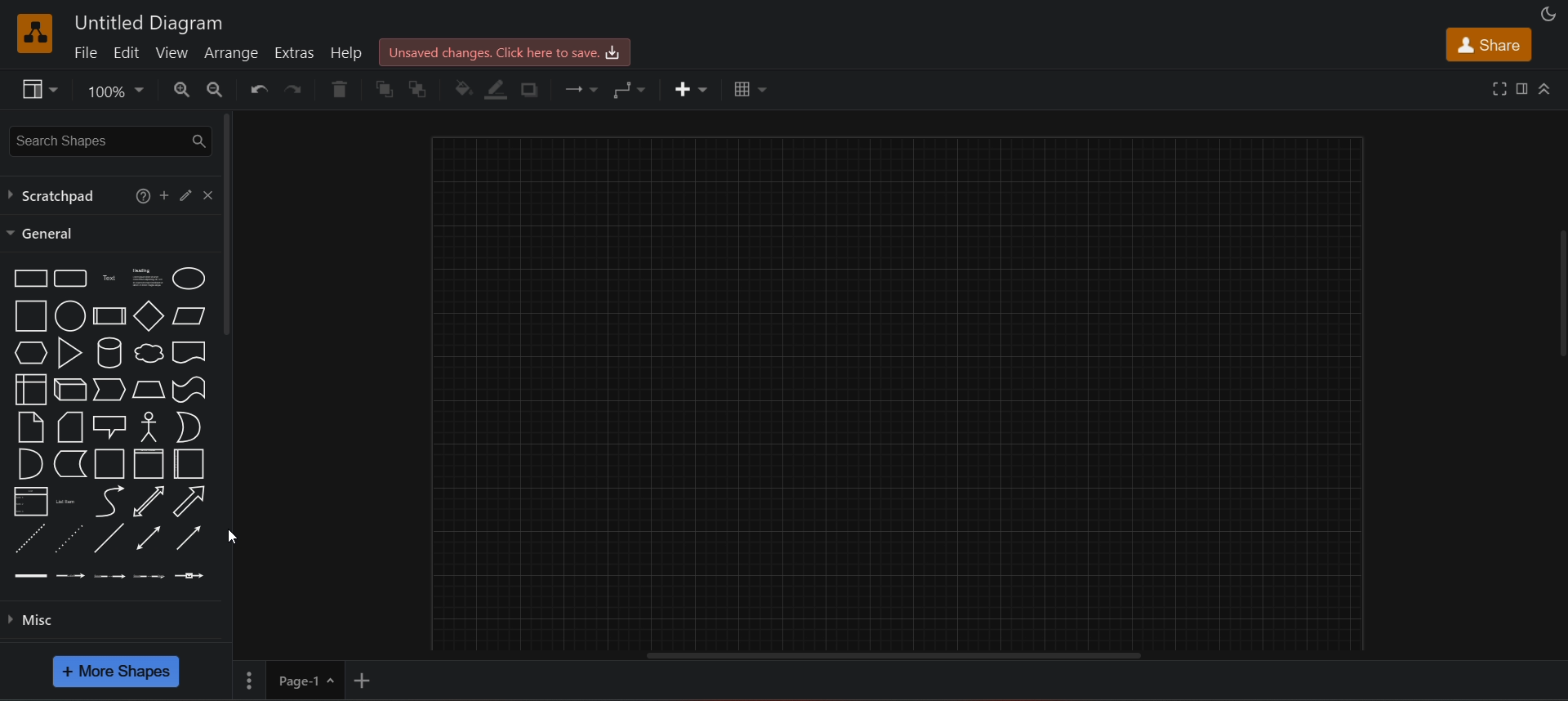 This screenshot has height=701, width=1568. What do you see at coordinates (147, 353) in the screenshot?
I see `cloud` at bounding box center [147, 353].